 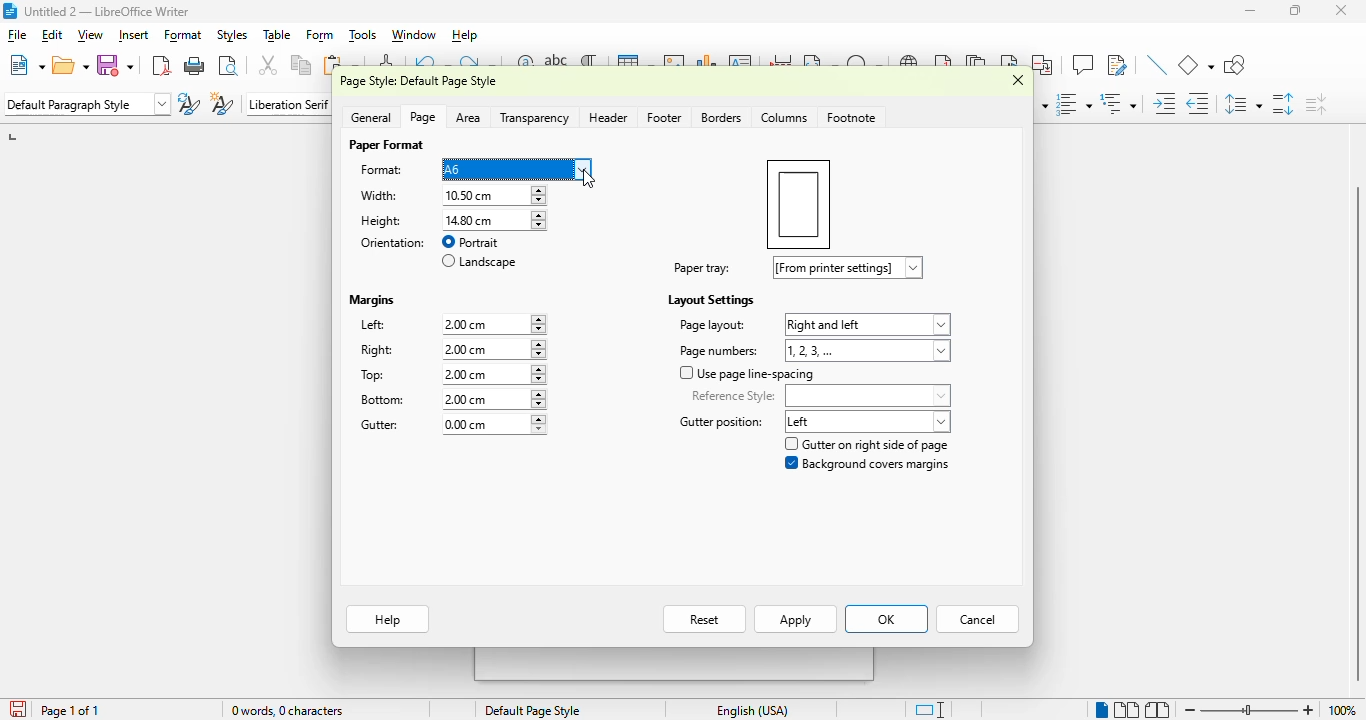 I want to click on gutter on right side of page, so click(x=867, y=444).